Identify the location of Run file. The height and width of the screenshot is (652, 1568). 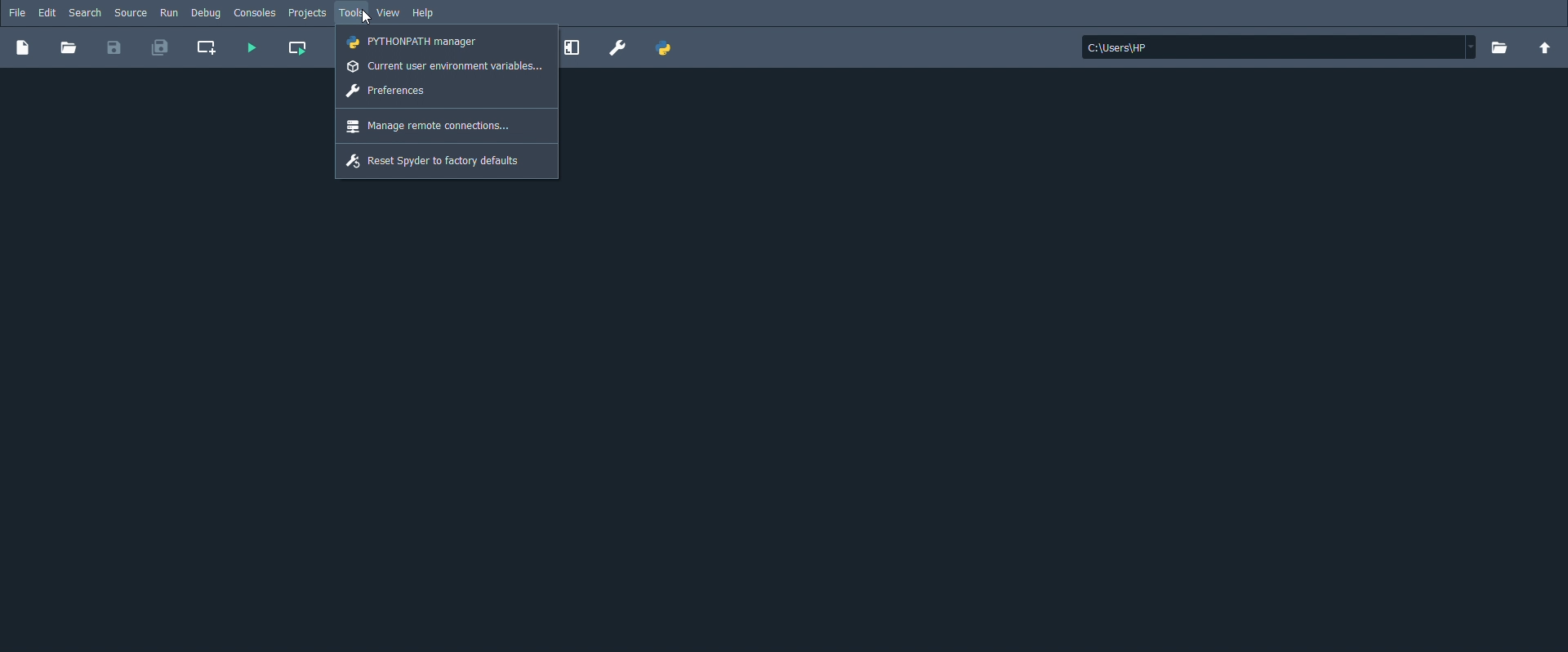
(249, 48).